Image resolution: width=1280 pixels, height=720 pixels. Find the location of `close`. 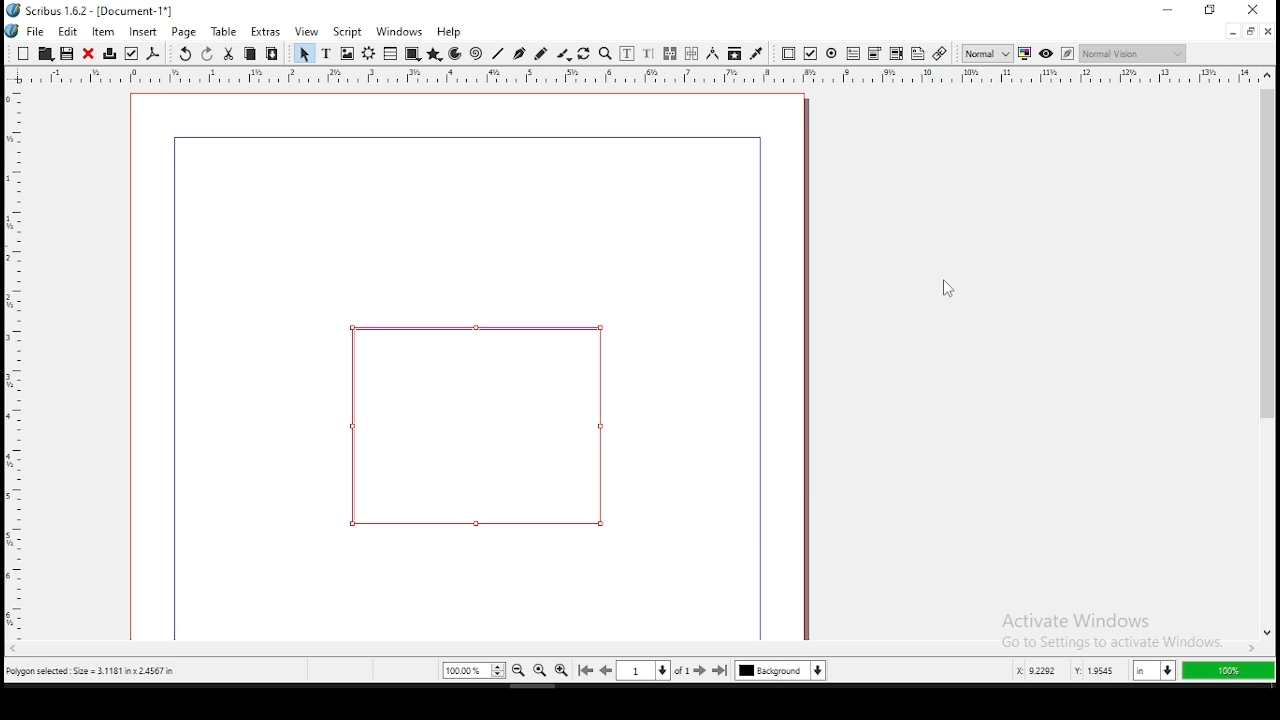

close is located at coordinates (1255, 10).